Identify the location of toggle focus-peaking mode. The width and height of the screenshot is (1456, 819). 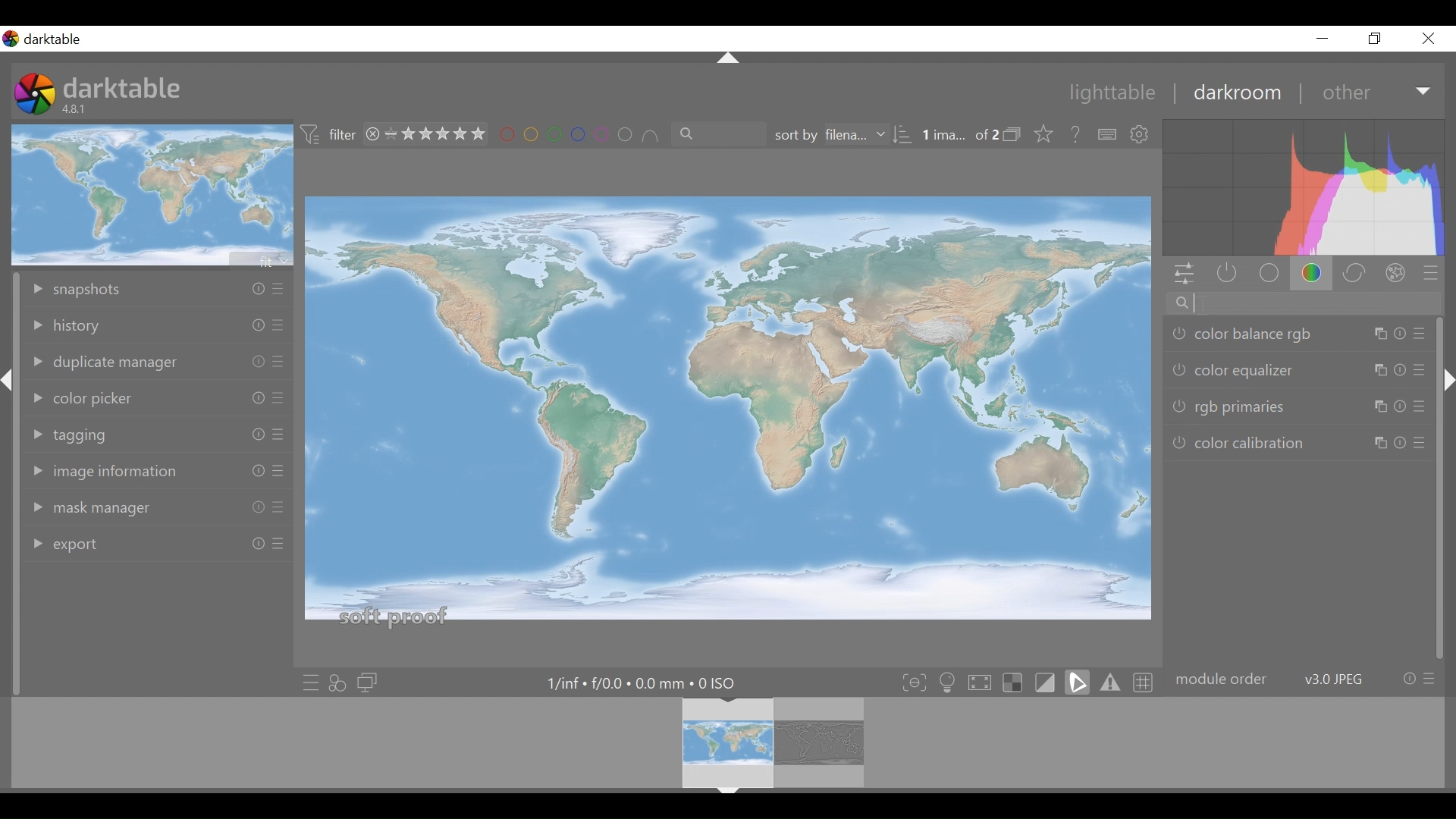
(912, 681).